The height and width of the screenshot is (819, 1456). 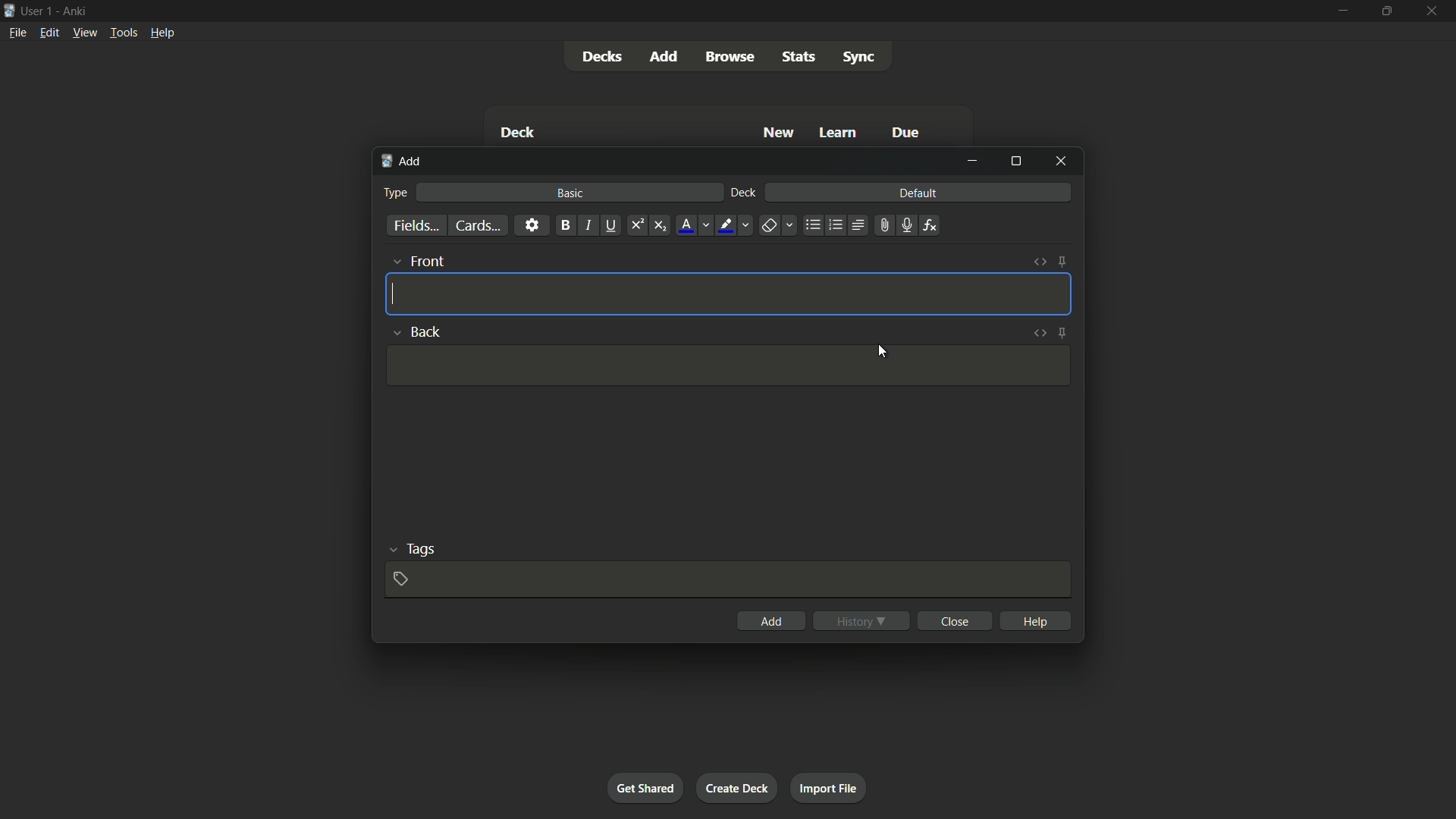 What do you see at coordinates (419, 262) in the screenshot?
I see `front` at bounding box center [419, 262].